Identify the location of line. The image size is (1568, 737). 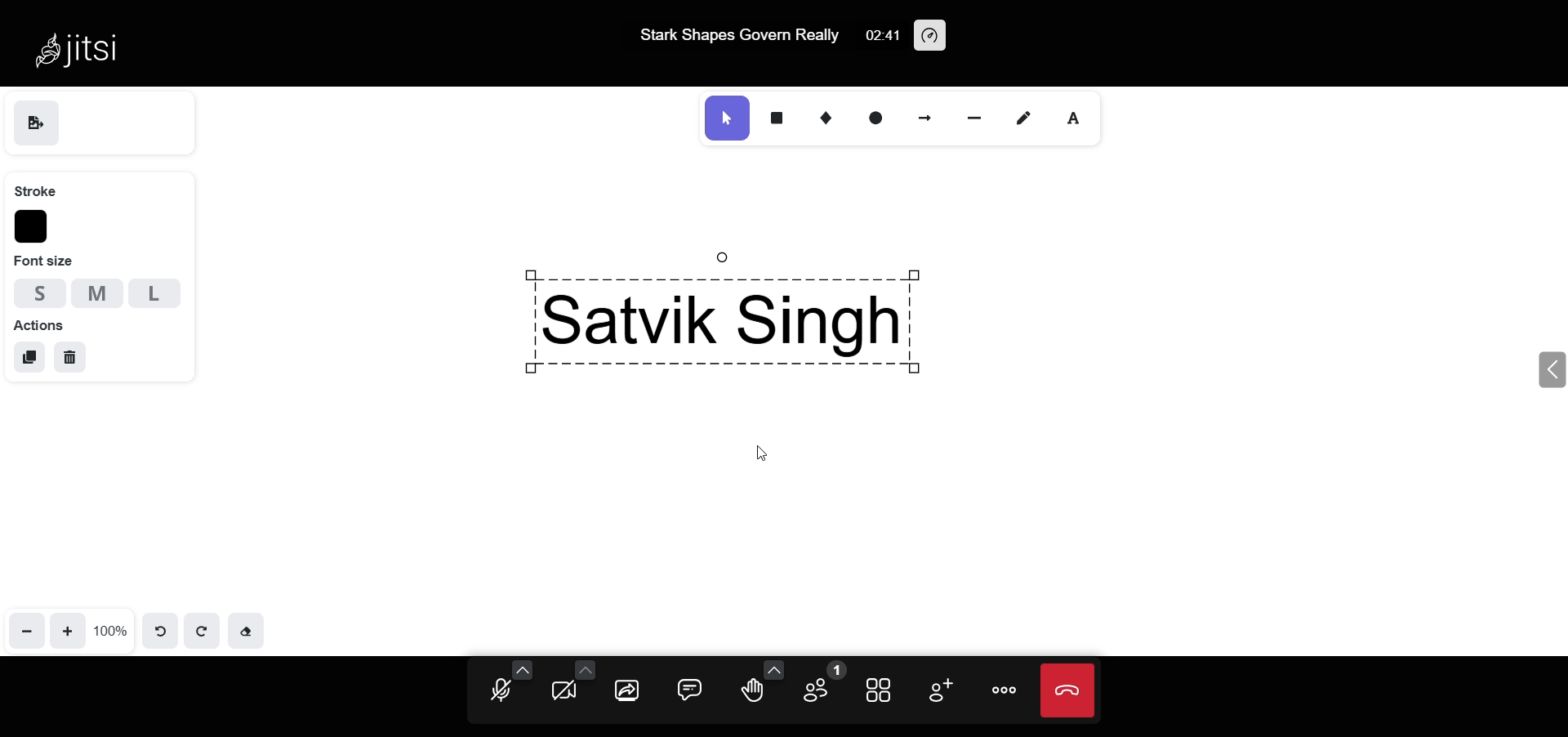
(982, 116).